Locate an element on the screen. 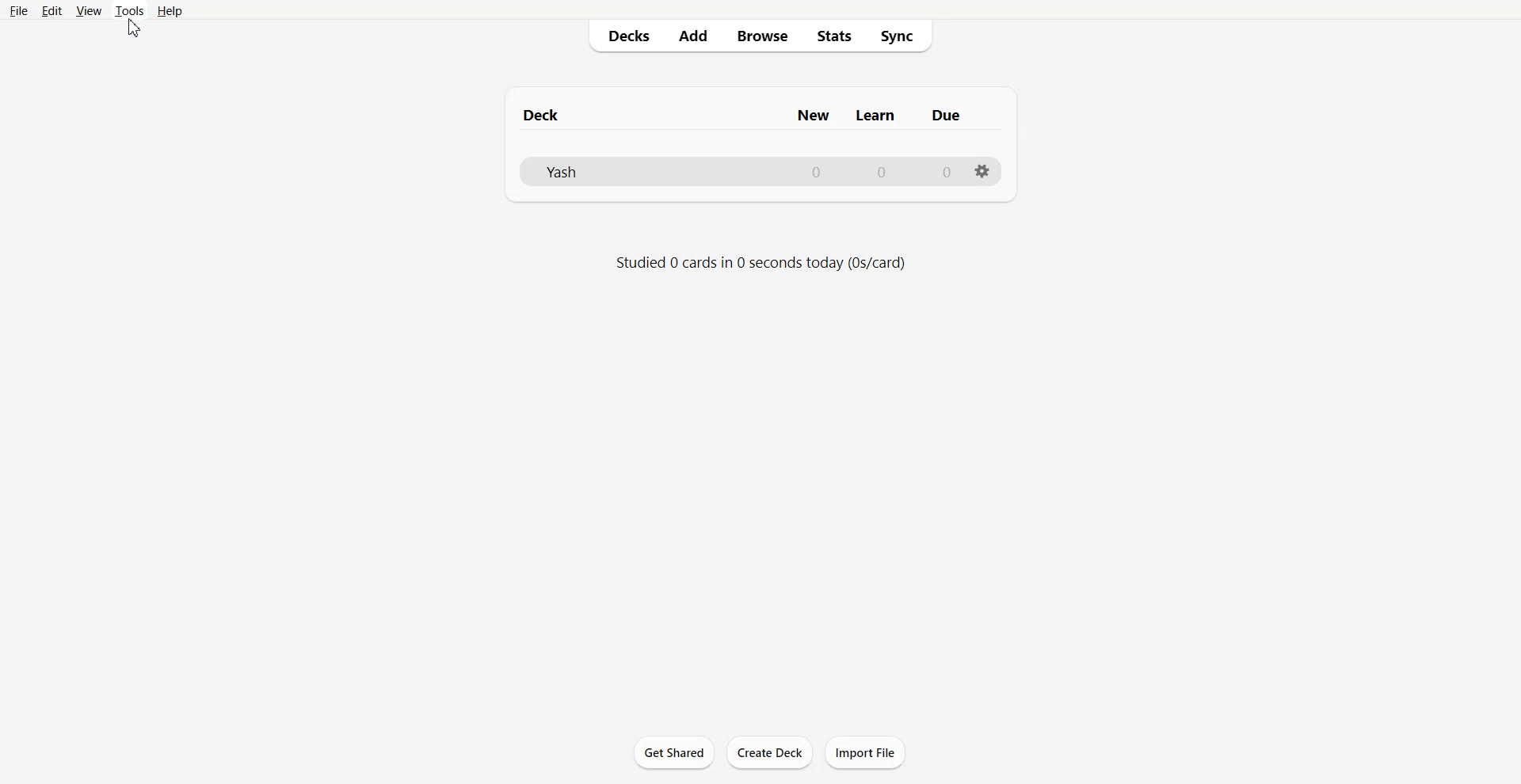 The image size is (1521, 784). File is located at coordinates (17, 10).